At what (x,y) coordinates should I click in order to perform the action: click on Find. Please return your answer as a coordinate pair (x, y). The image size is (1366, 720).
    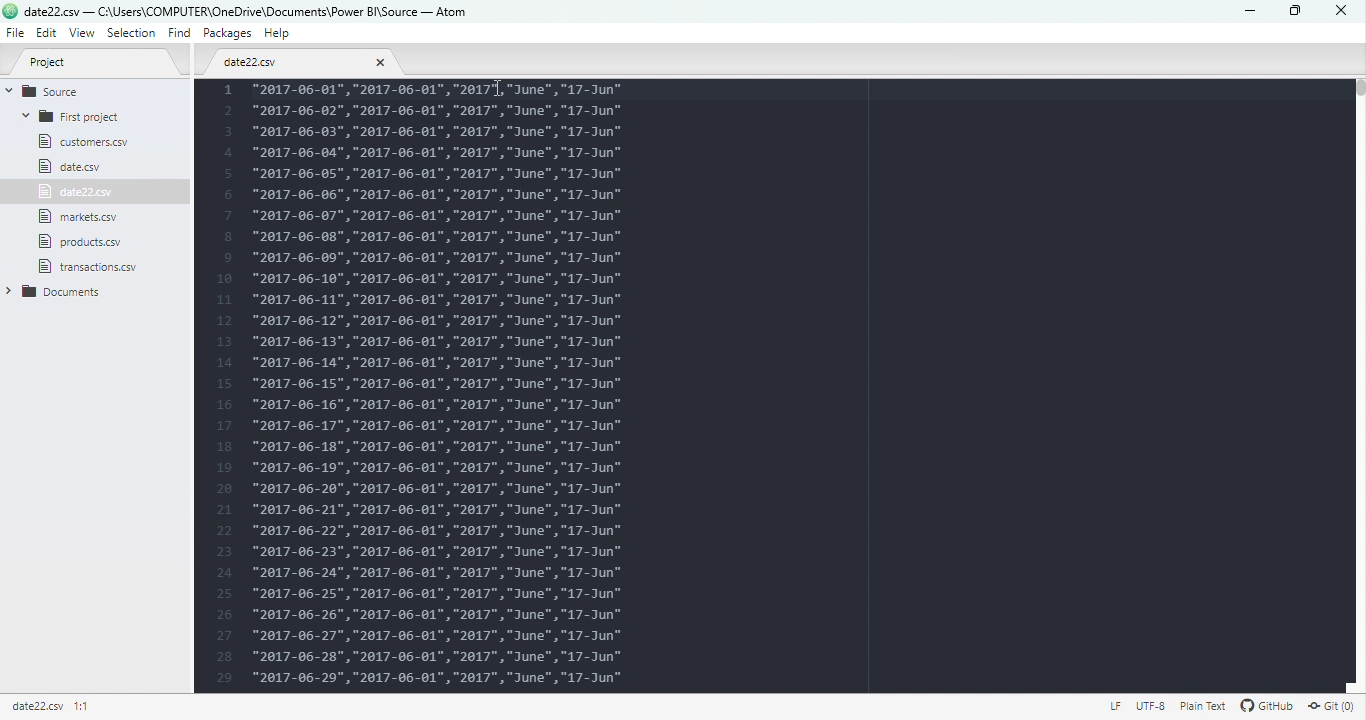
    Looking at the image, I should click on (178, 34).